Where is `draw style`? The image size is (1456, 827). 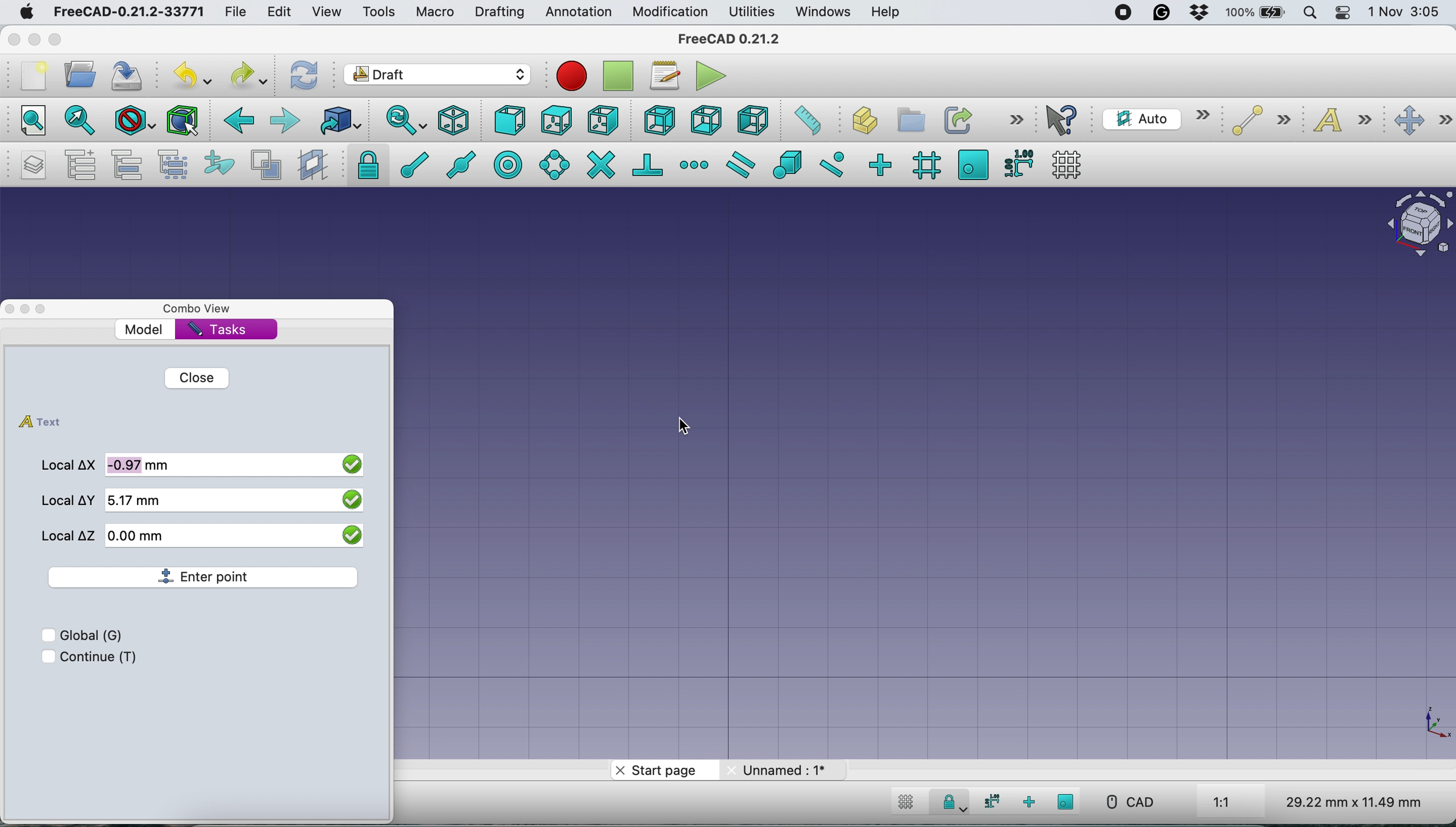
draw style is located at coordinates (134, 122).